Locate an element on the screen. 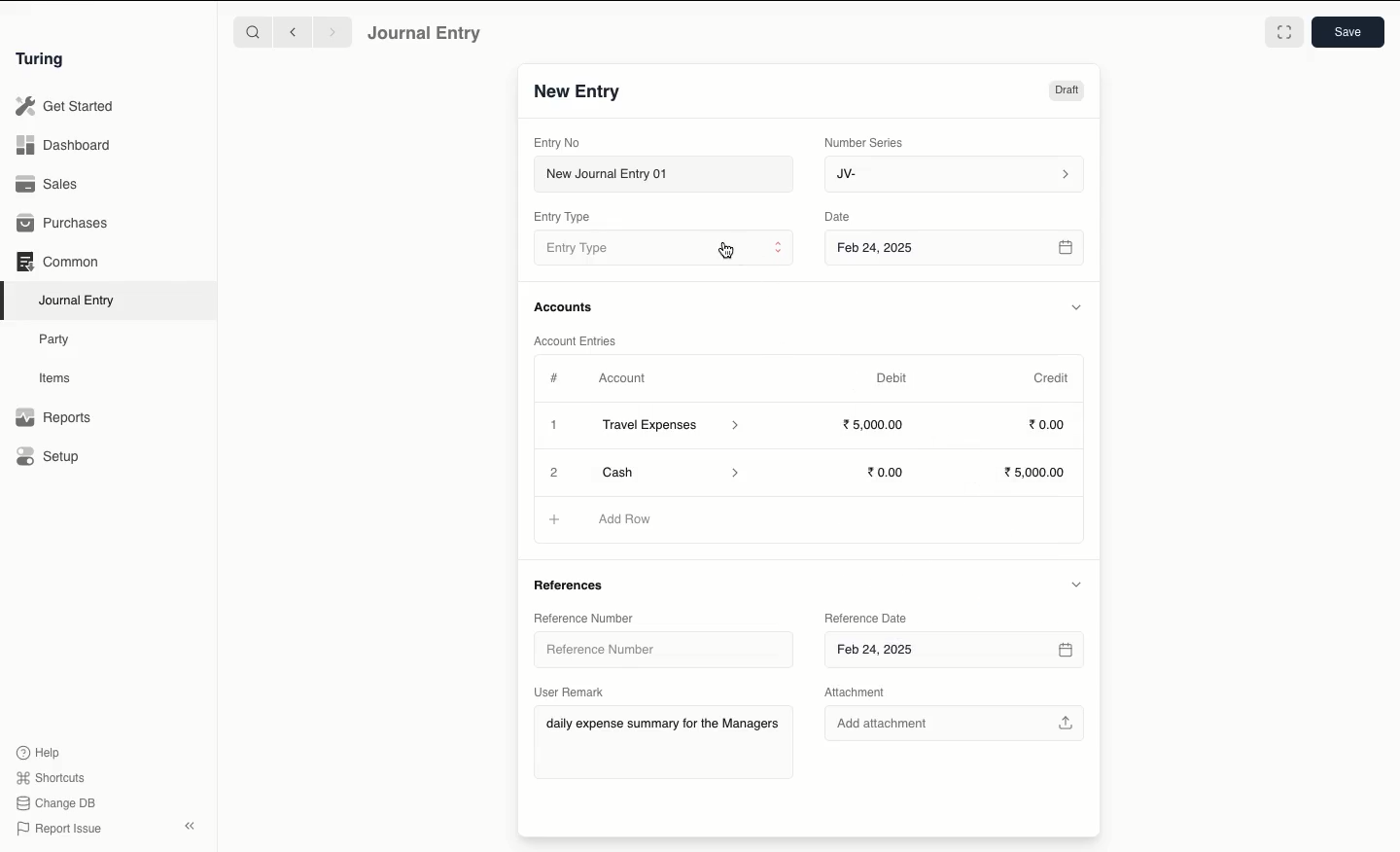  Reference Number is located at coordinates (585, 618).